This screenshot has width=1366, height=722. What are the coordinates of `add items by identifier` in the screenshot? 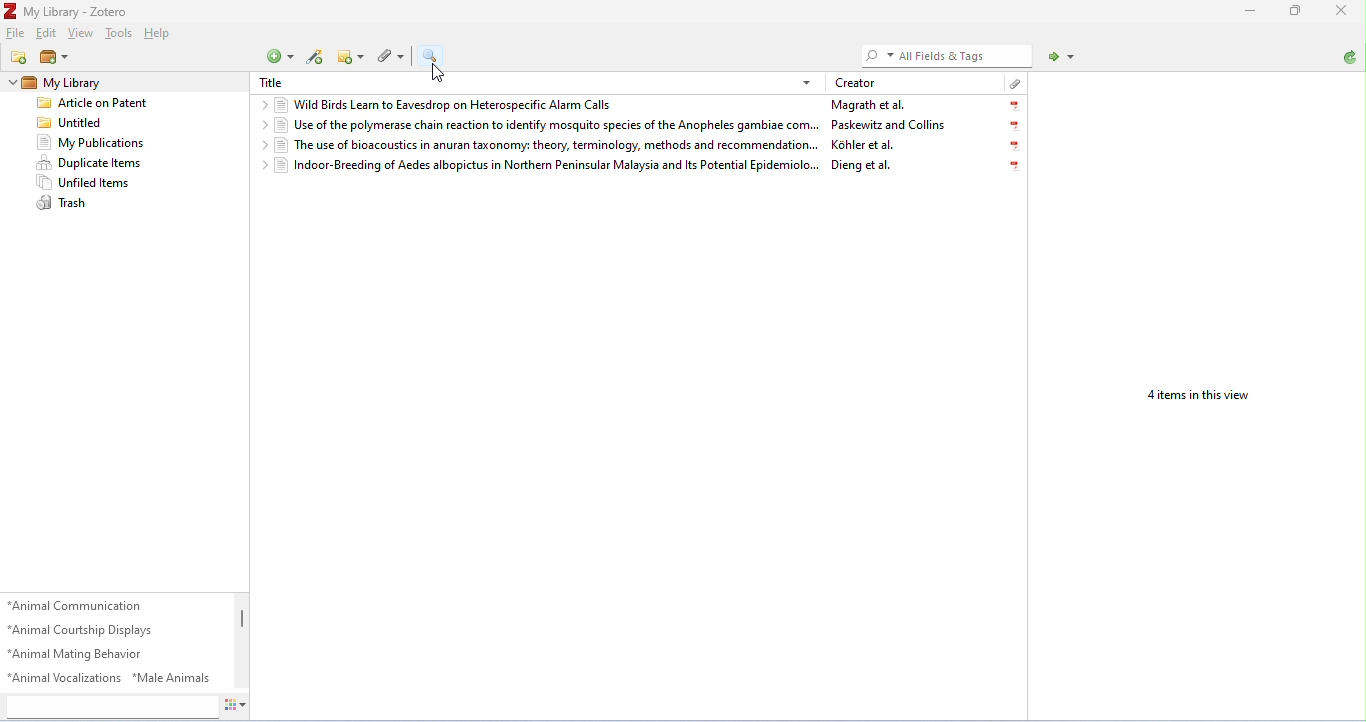 It's located at (319, 59).